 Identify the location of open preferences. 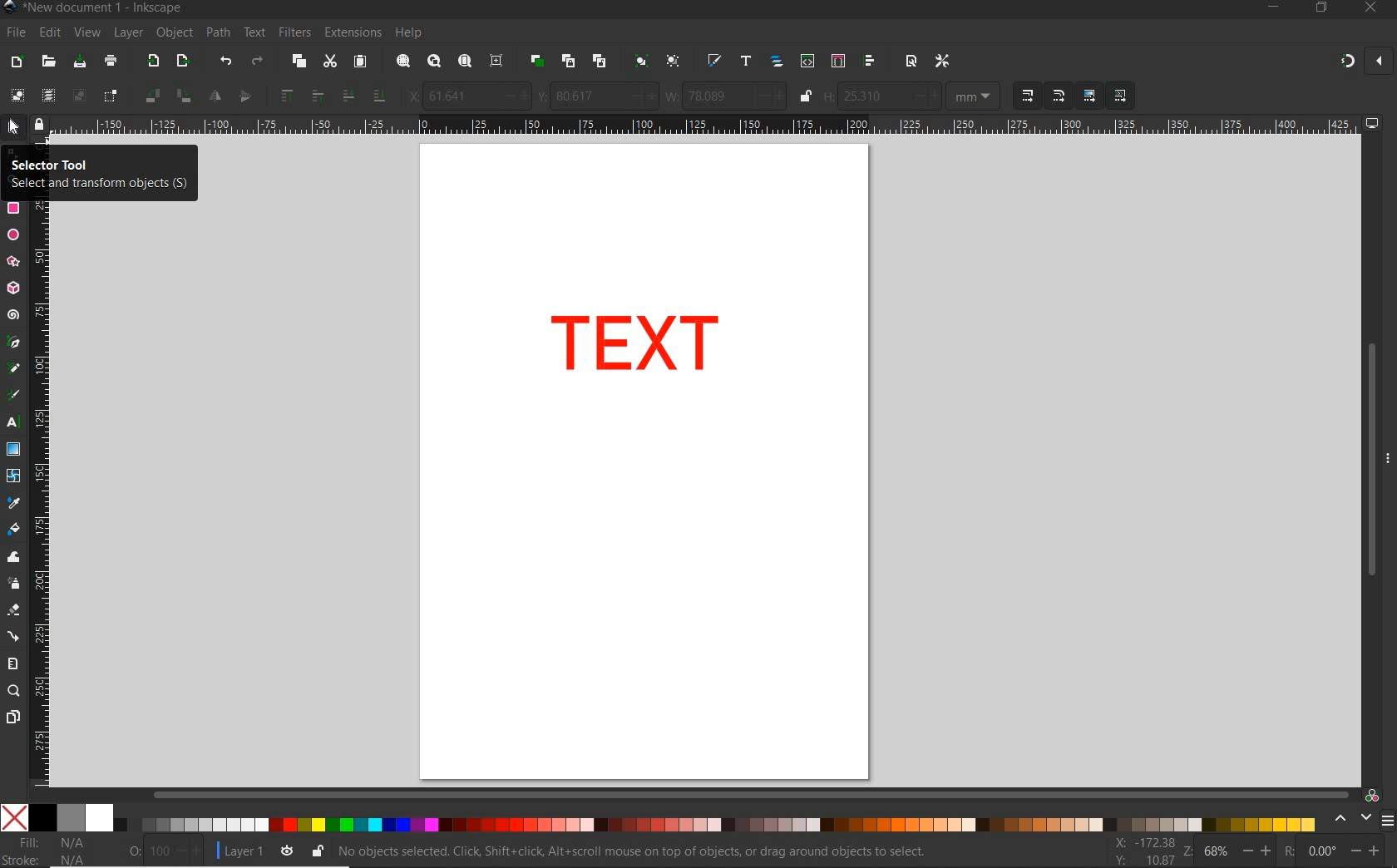
(943, 60).